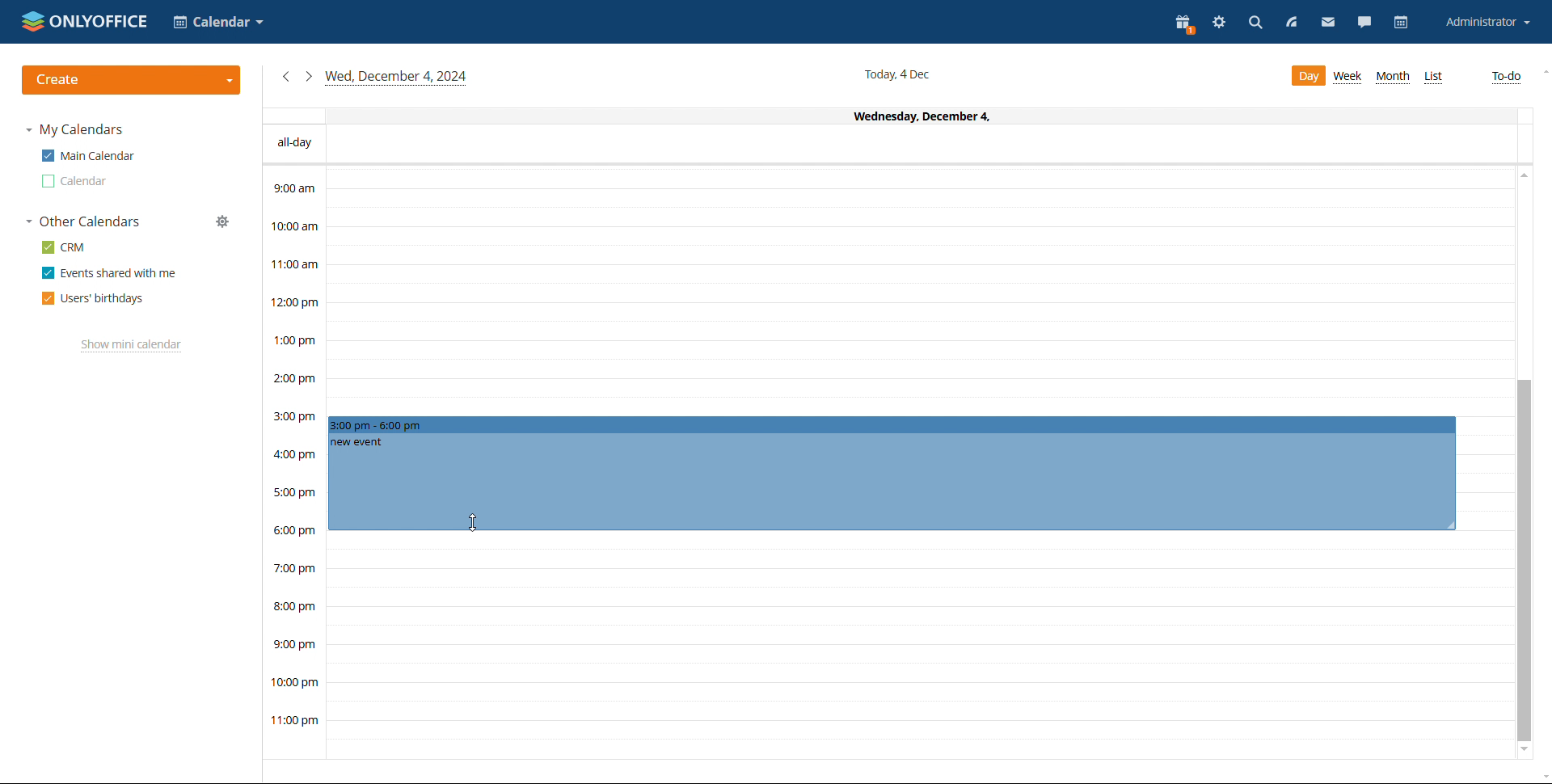 The height and width of the screenshot is (784, 1552). Describe the element at coordinates (65, 247) in the screenshot. I see `crm` at that location.